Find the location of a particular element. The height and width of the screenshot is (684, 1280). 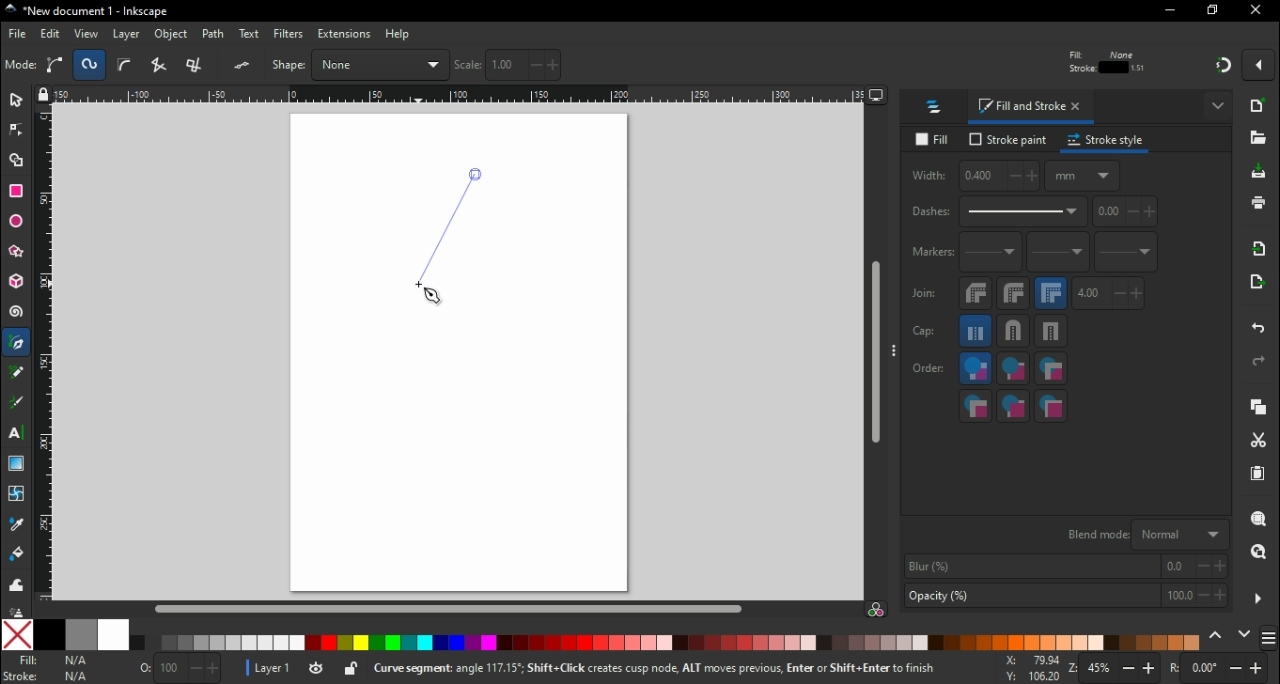

rectangle tool is located at coordinates (18, 191).